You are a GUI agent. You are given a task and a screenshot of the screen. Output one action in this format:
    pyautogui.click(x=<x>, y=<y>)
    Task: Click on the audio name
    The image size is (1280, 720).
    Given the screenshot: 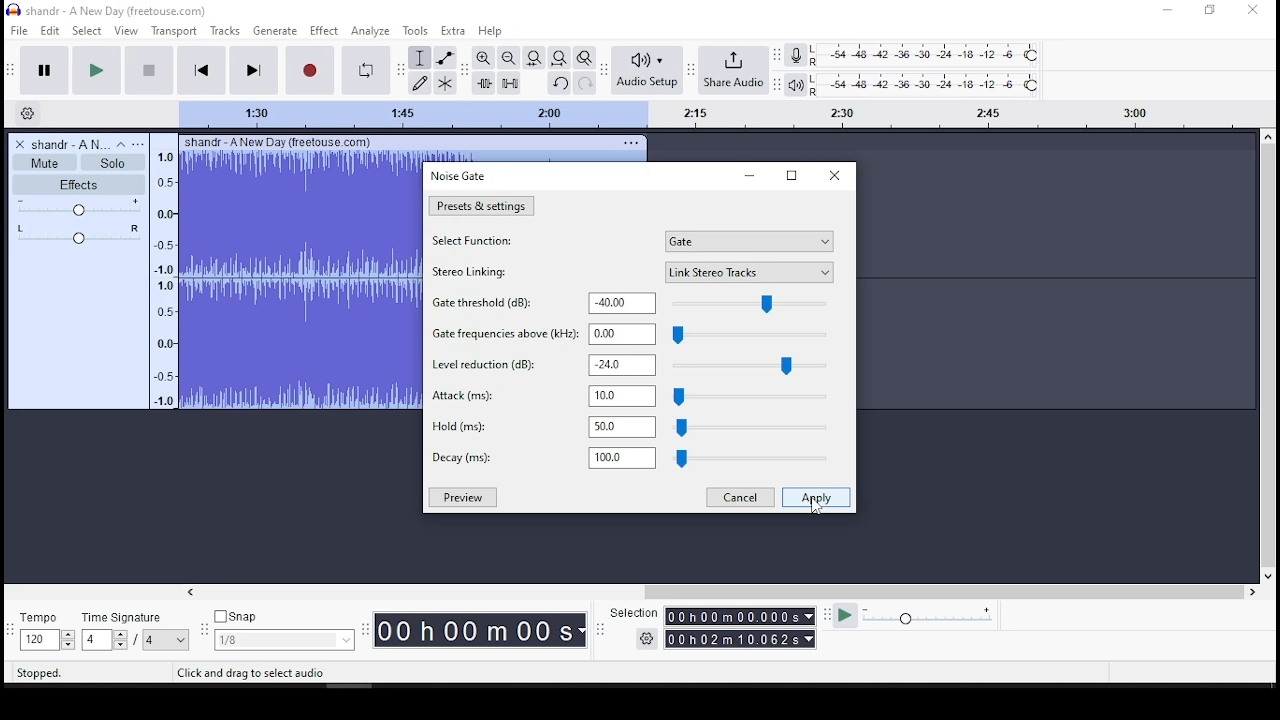 What is the action you would take?
    pyautogui.click(x=70, y=143)
    